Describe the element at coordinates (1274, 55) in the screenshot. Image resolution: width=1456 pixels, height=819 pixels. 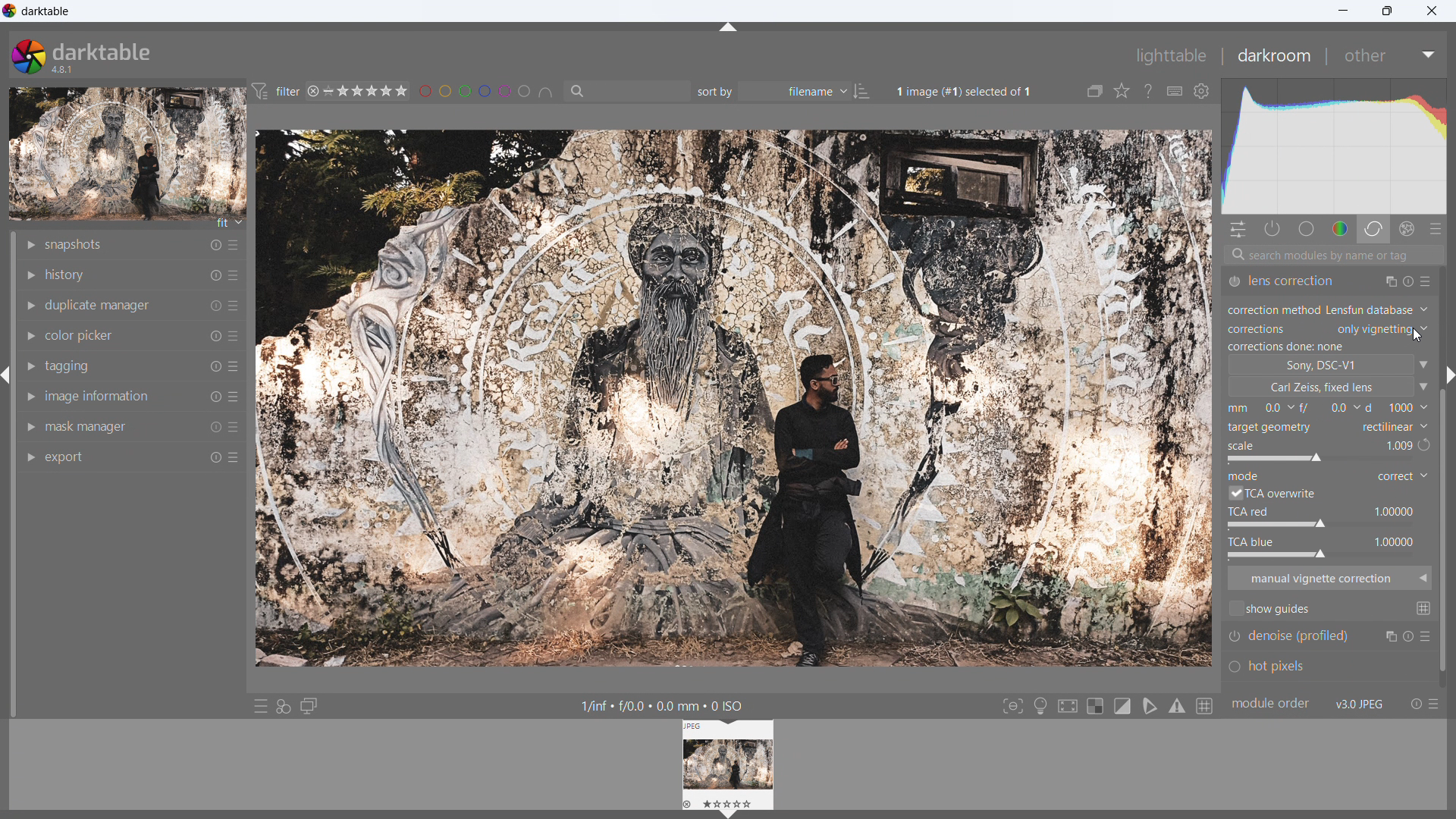
I see `darkroom` at that location.